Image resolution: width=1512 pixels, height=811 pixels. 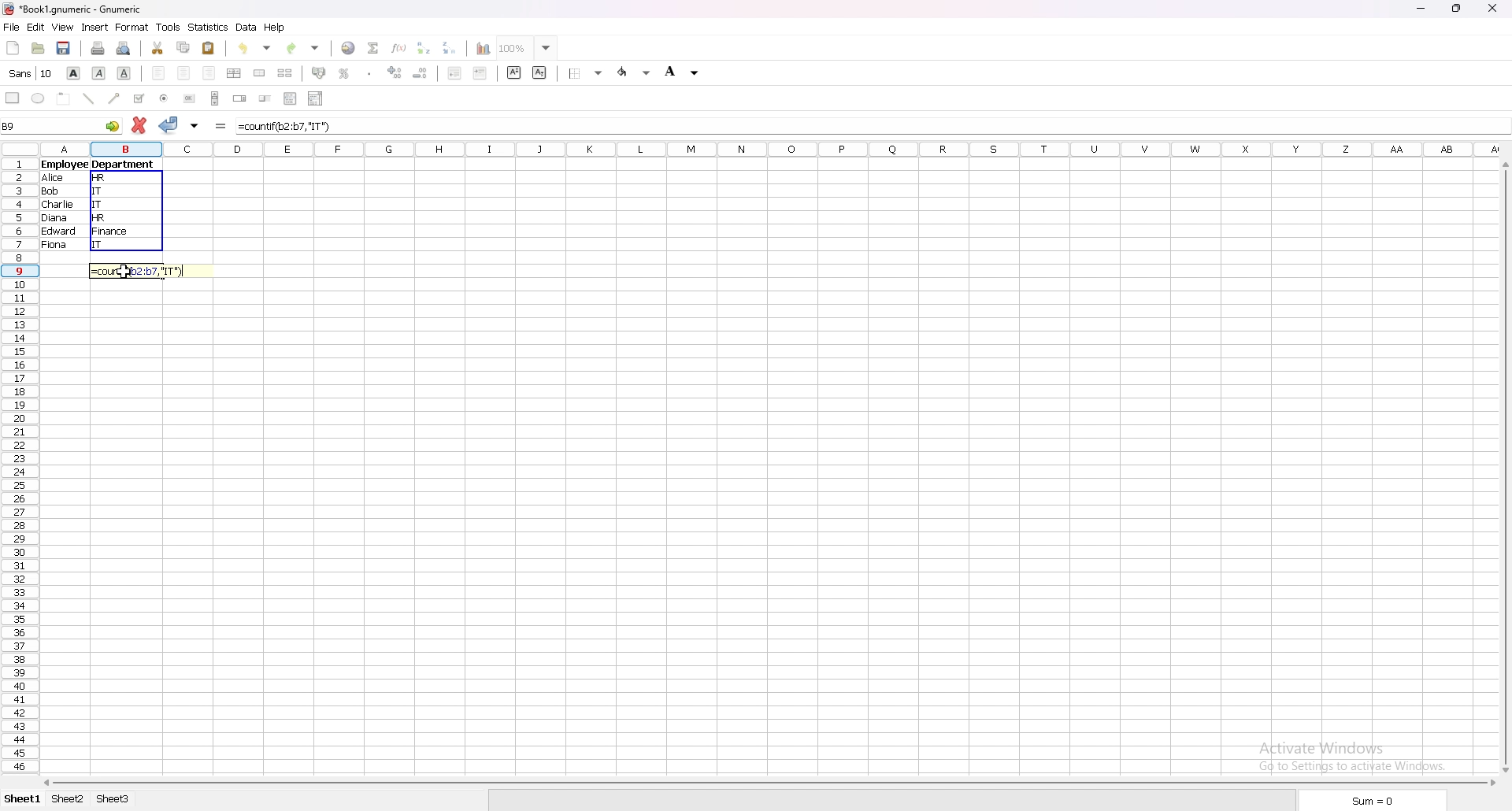 What do you see at coordinates (64, 165) in the screenshot?
I see `employee` at bounding box center [64, 165].